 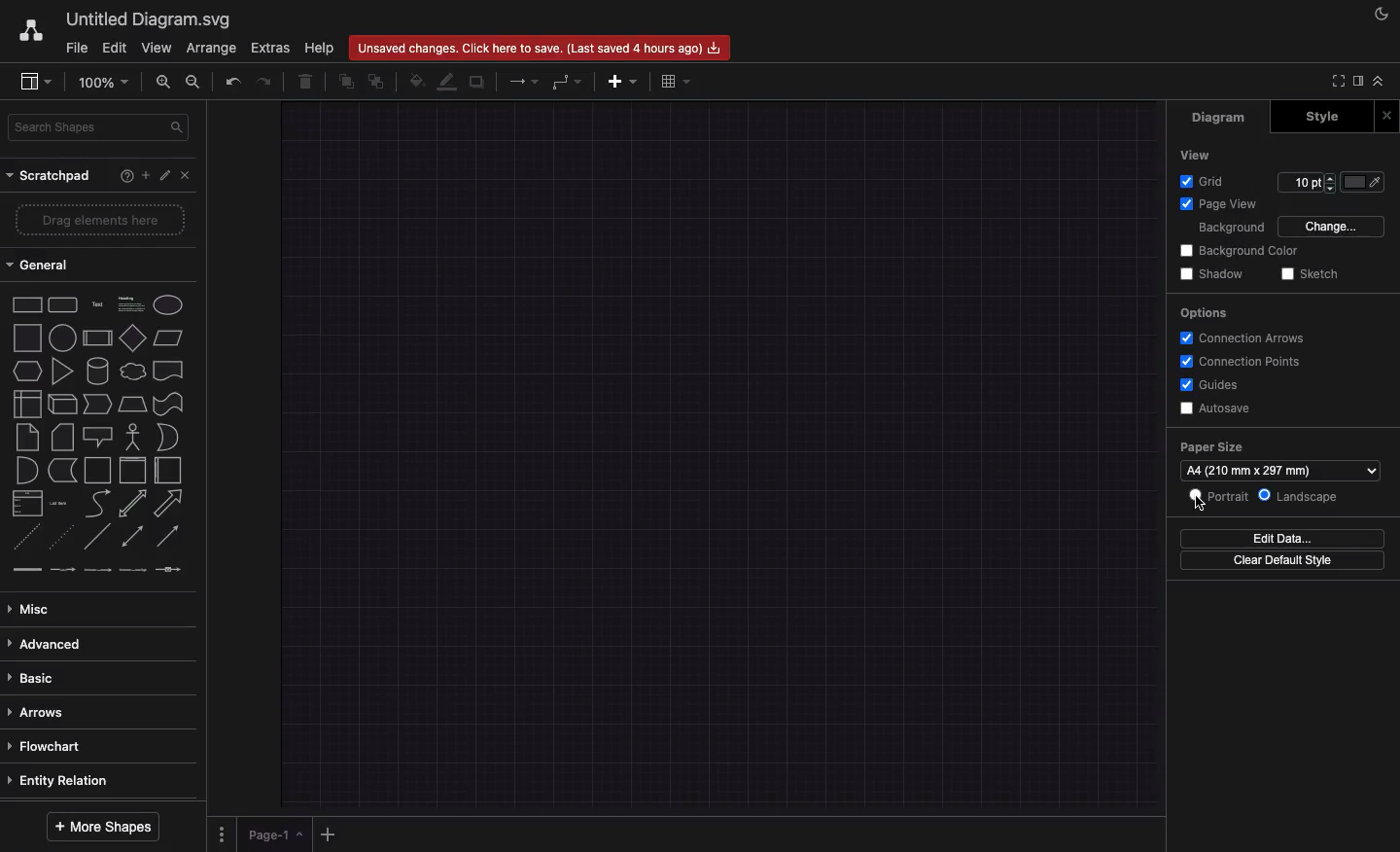 I want to click on View, so click(x=157, y=47).